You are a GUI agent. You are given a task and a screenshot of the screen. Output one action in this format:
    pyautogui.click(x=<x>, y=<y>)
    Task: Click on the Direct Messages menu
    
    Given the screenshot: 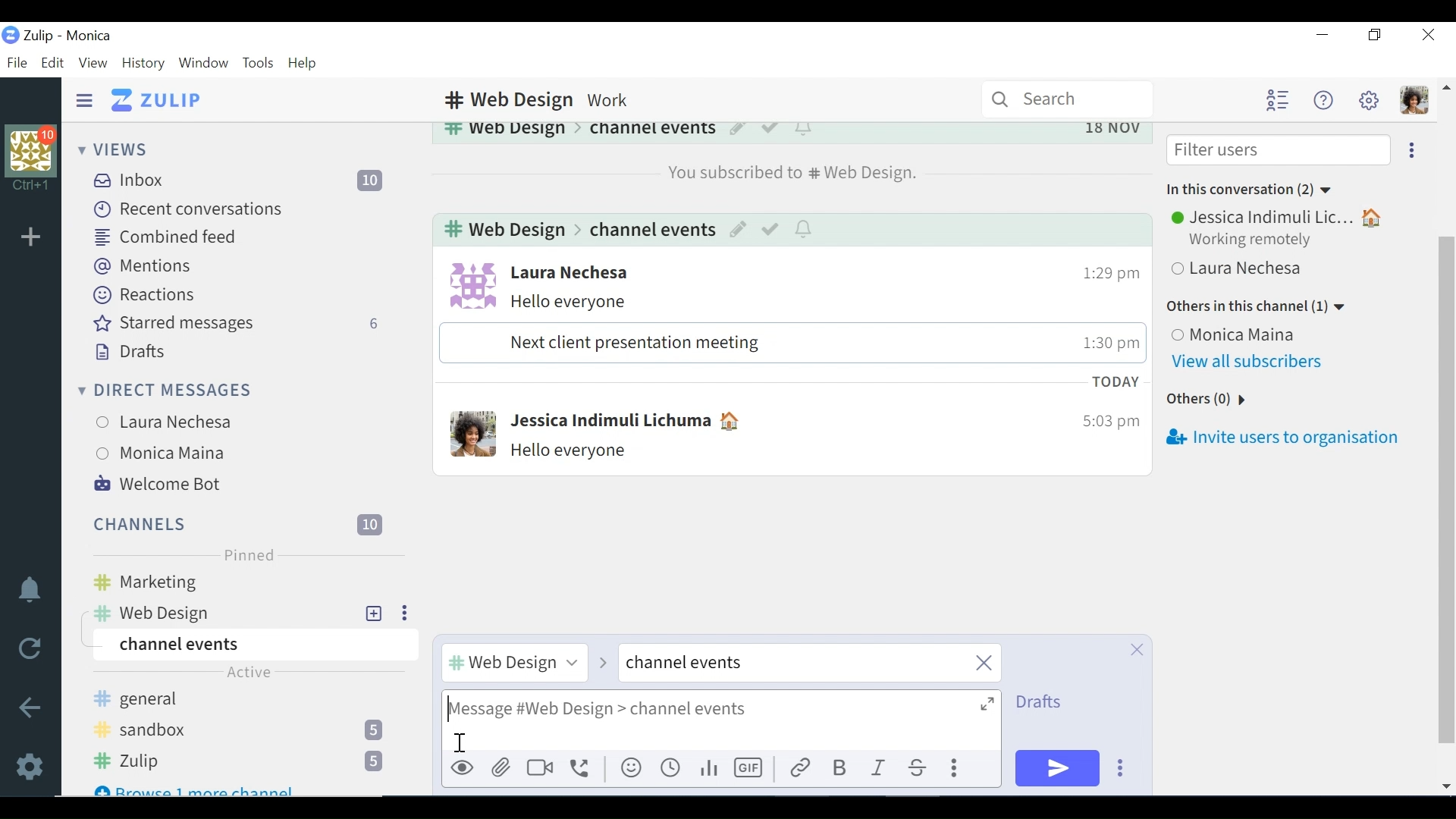 What is the action you would take?
    pyautogui.click(x=165, y=388)
    